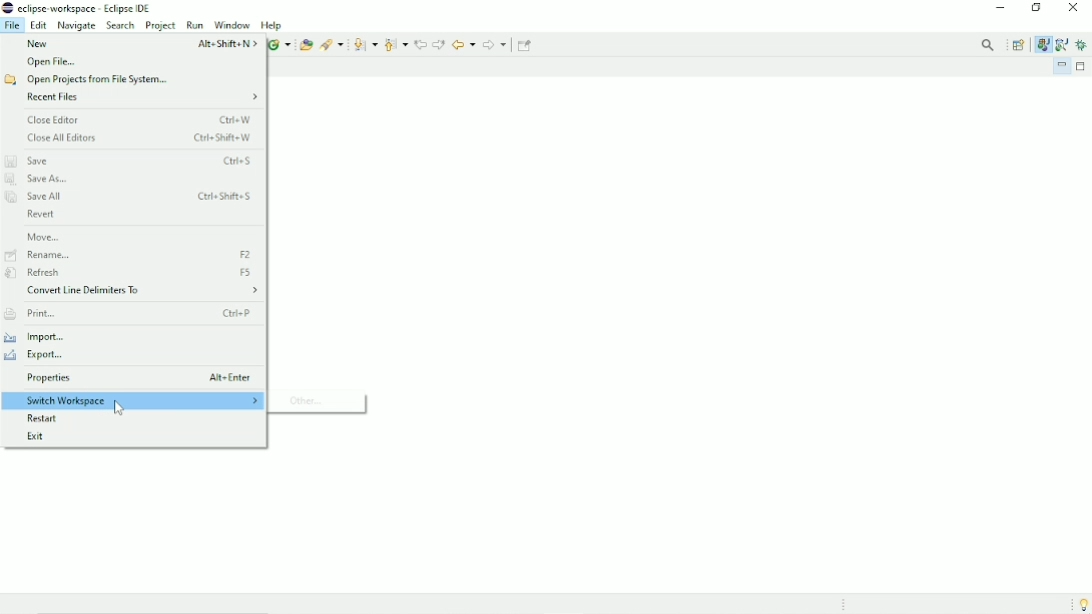 This screenshot has height=614, width=1092. I want to click on Save all, so click(131, 198).